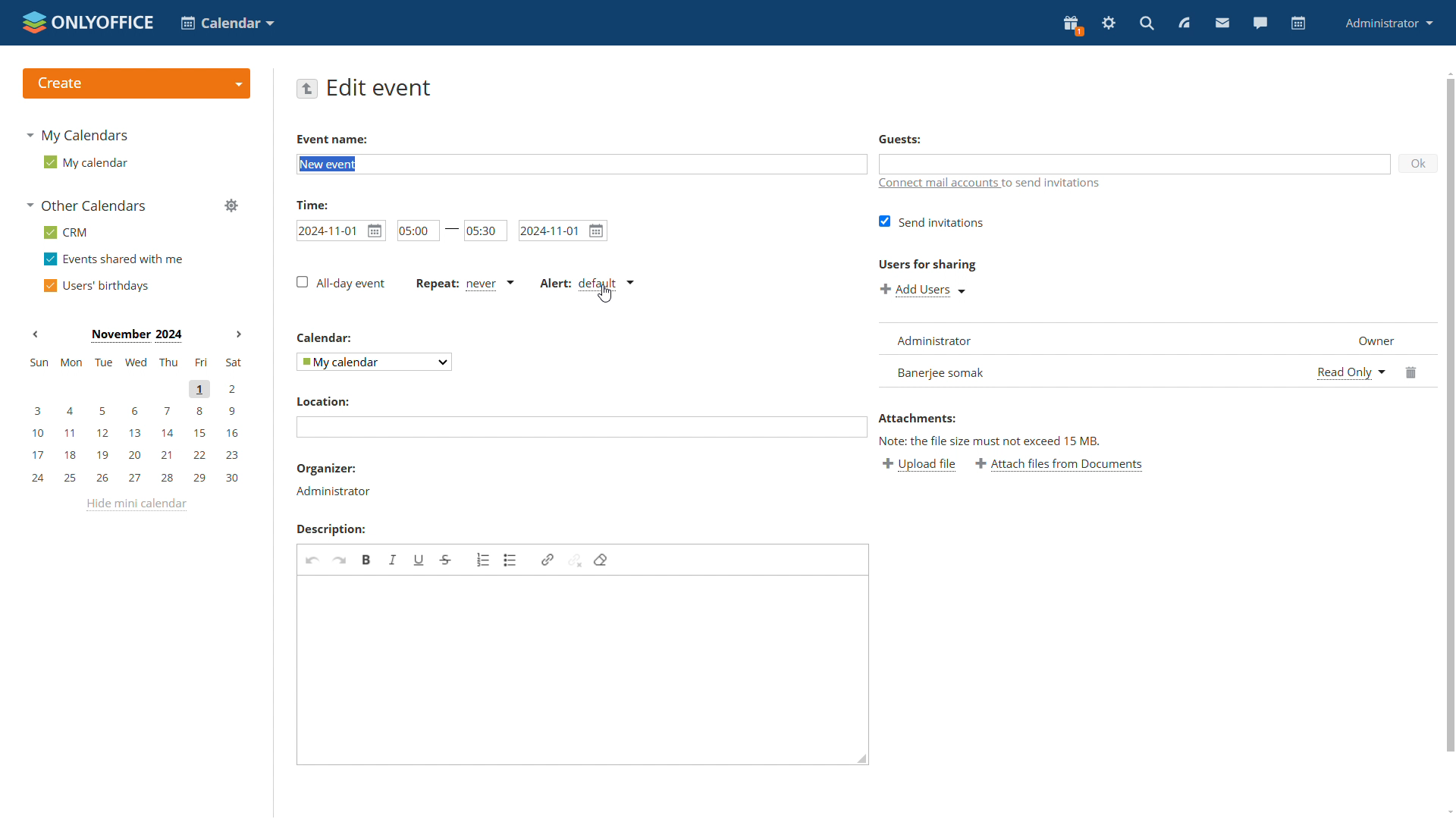  Describe the element at coordinates (918, 464) in the screenshot. I see `upload file` at that location.